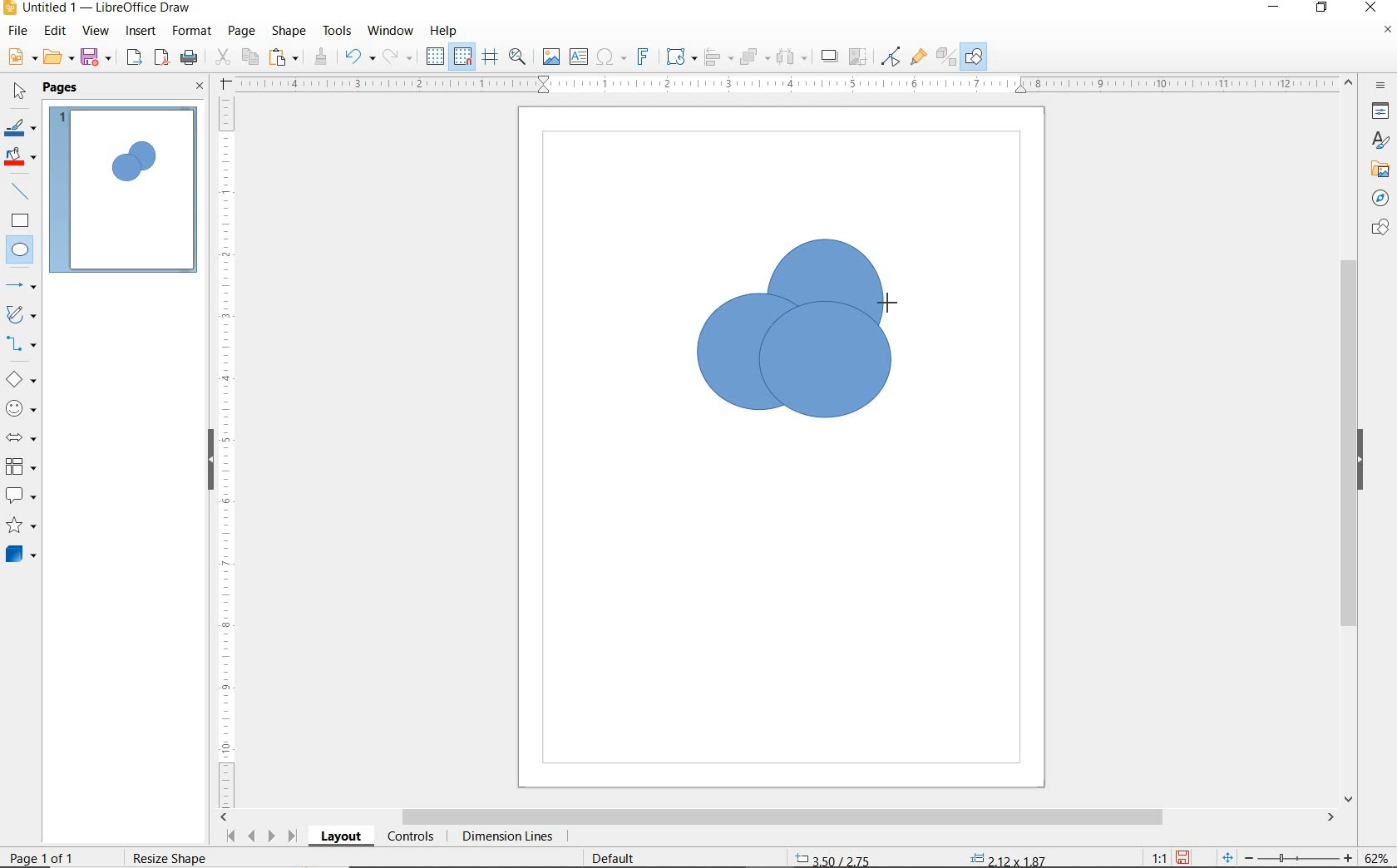 The image size is (1397, 868). Describe the element at coordinates (1365, 460) in the screenshot. I see `HIDE` at that location.